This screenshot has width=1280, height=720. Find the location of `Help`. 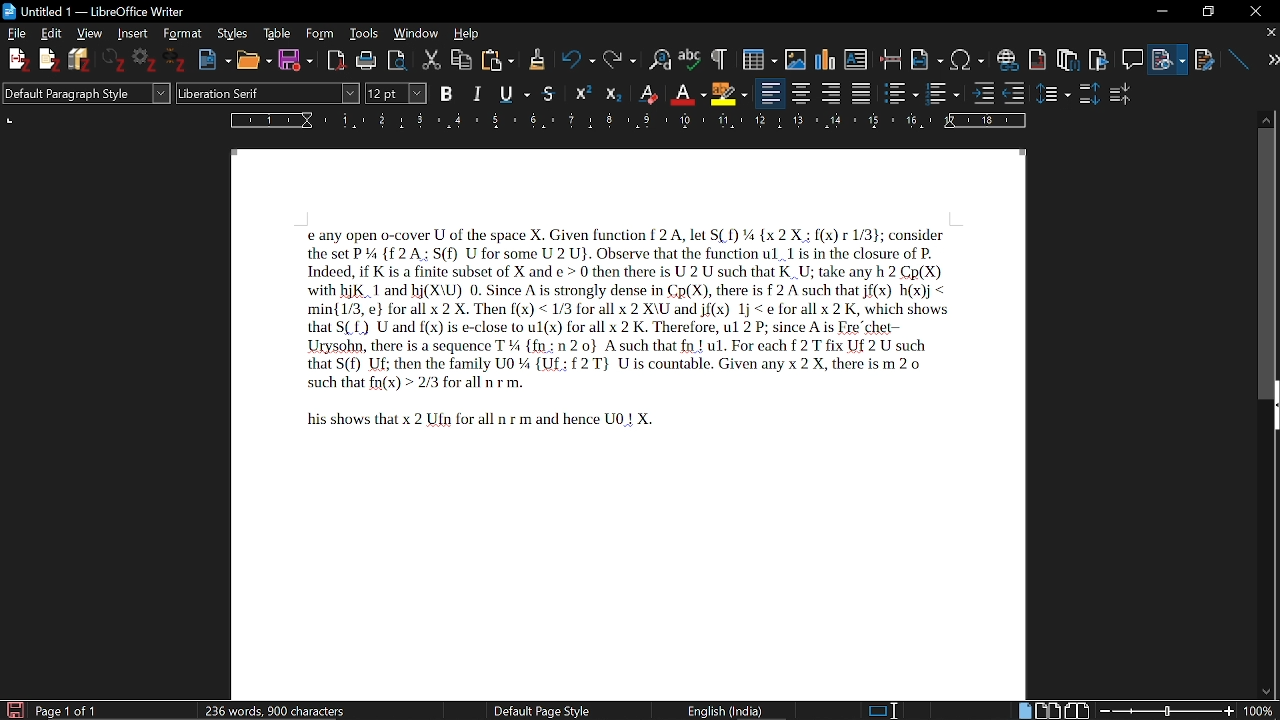

Help is located at coordinates (467, 32).